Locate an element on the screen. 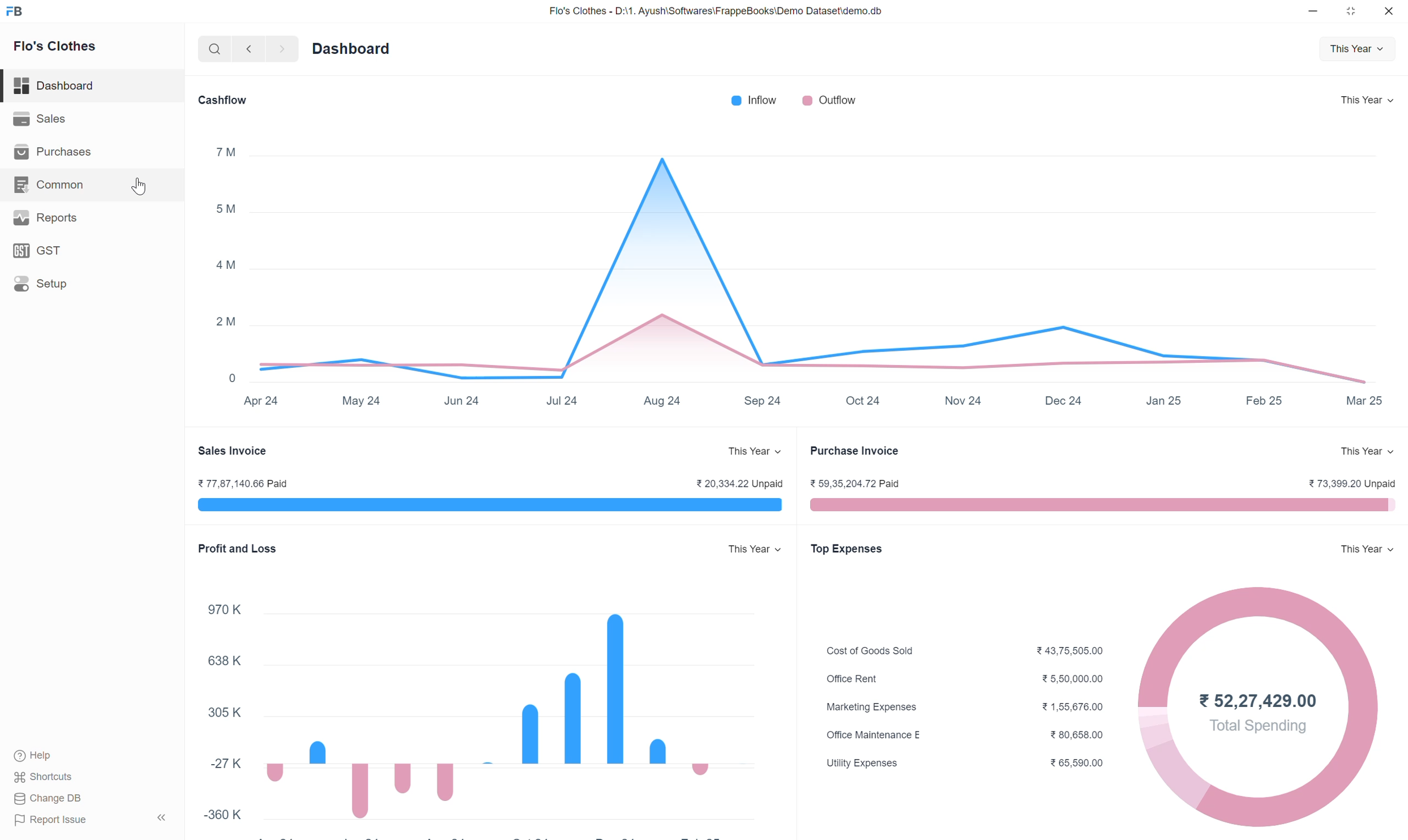 The width and height of the screenshot is (1408, 840). Outflow is located at coordinates (830, 101).